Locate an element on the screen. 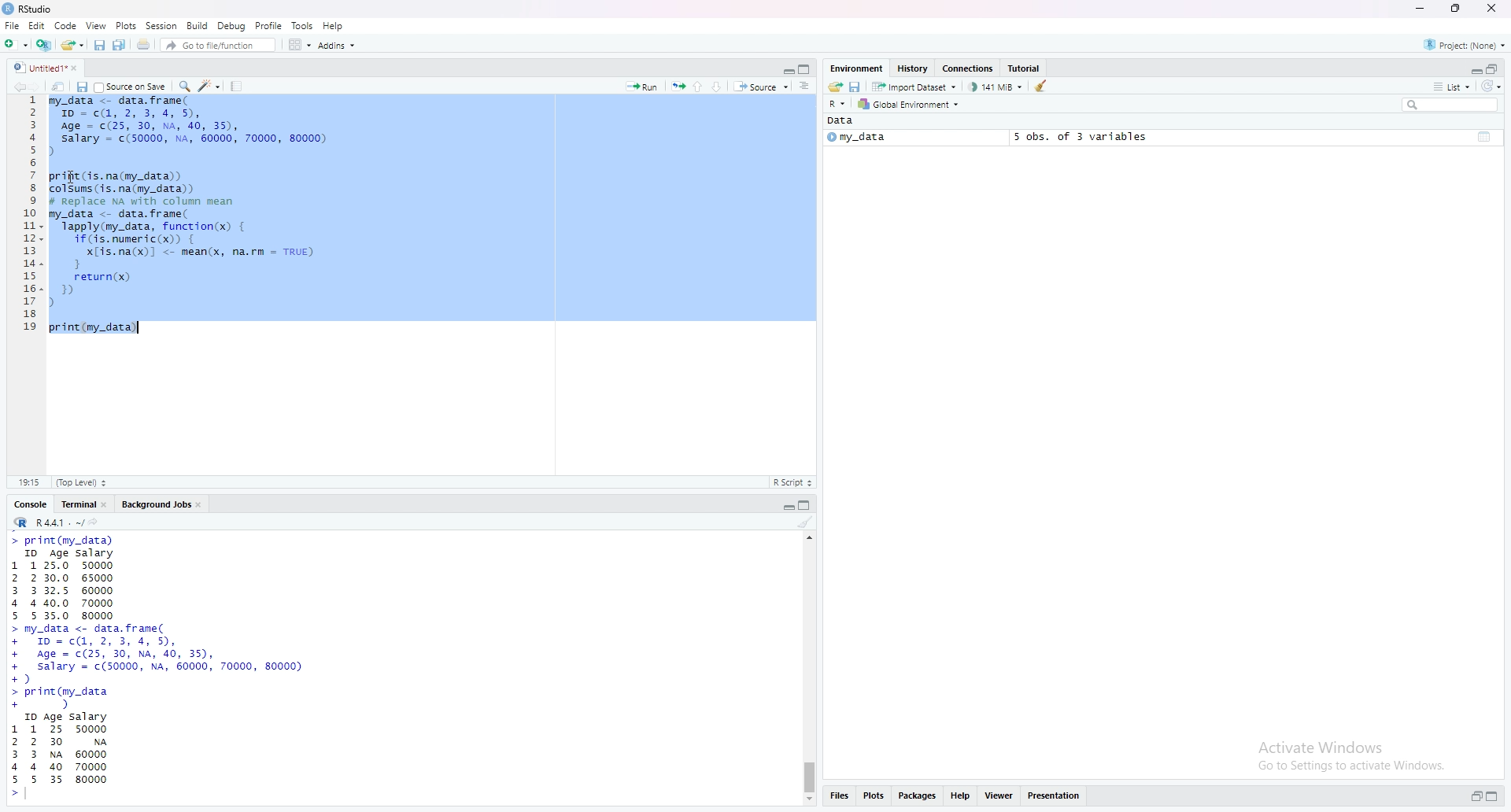 The width and height of the screenshot is (1511, 812). File is located at coordinates (13, 25).